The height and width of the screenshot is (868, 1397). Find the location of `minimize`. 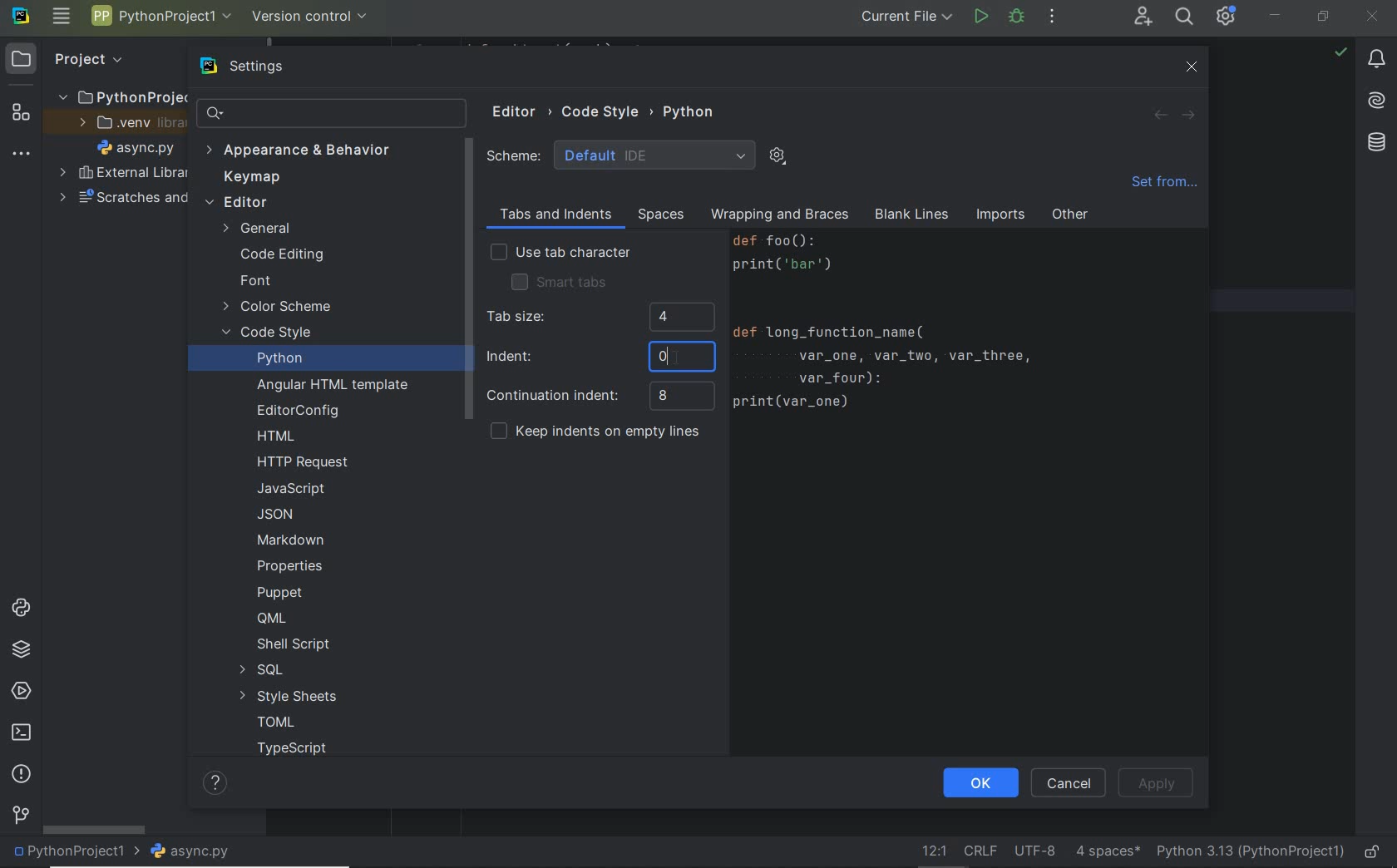

minimize is located at coordinates (1275, 15).